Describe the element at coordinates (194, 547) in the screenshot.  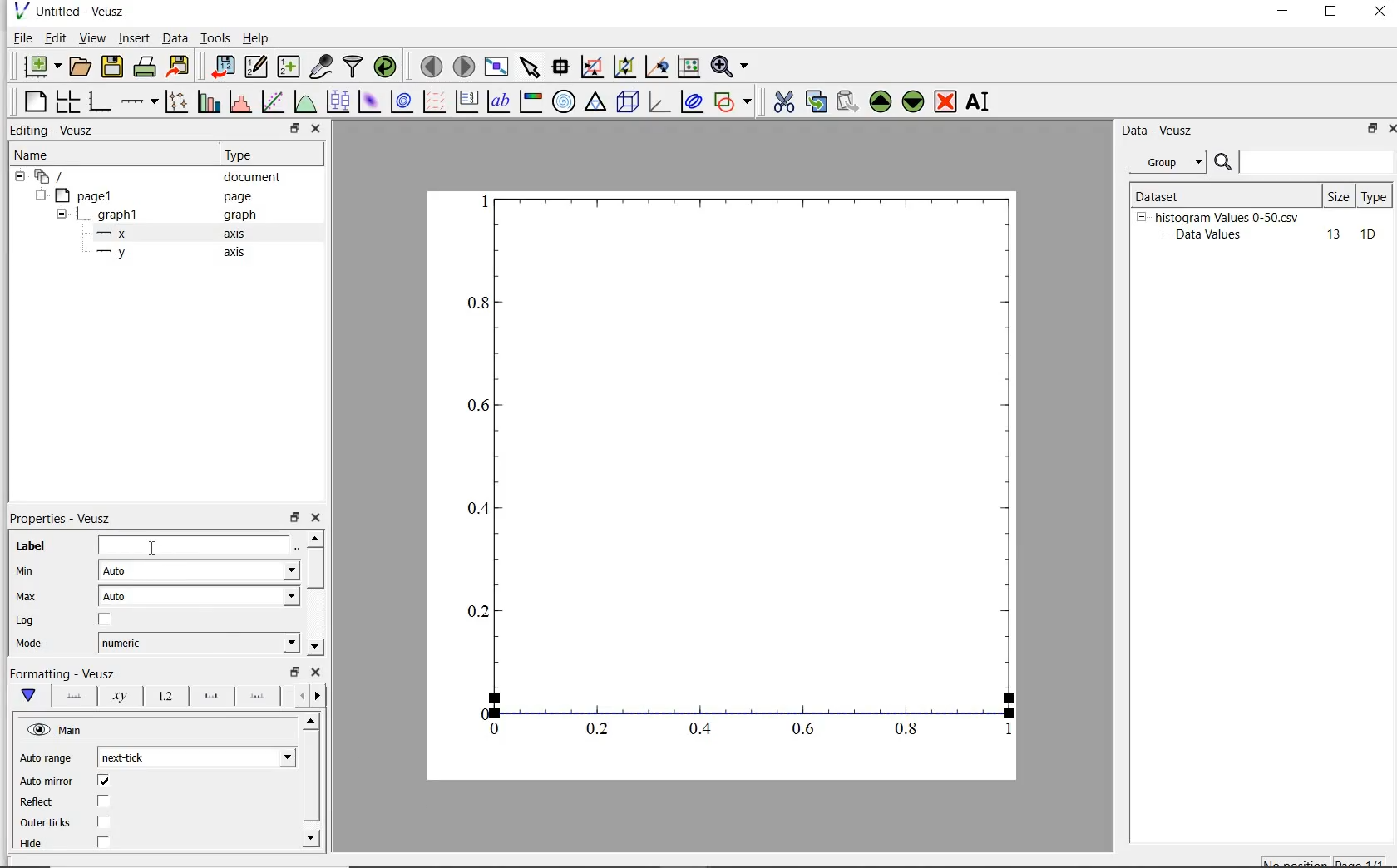
I see `input label` at that location.